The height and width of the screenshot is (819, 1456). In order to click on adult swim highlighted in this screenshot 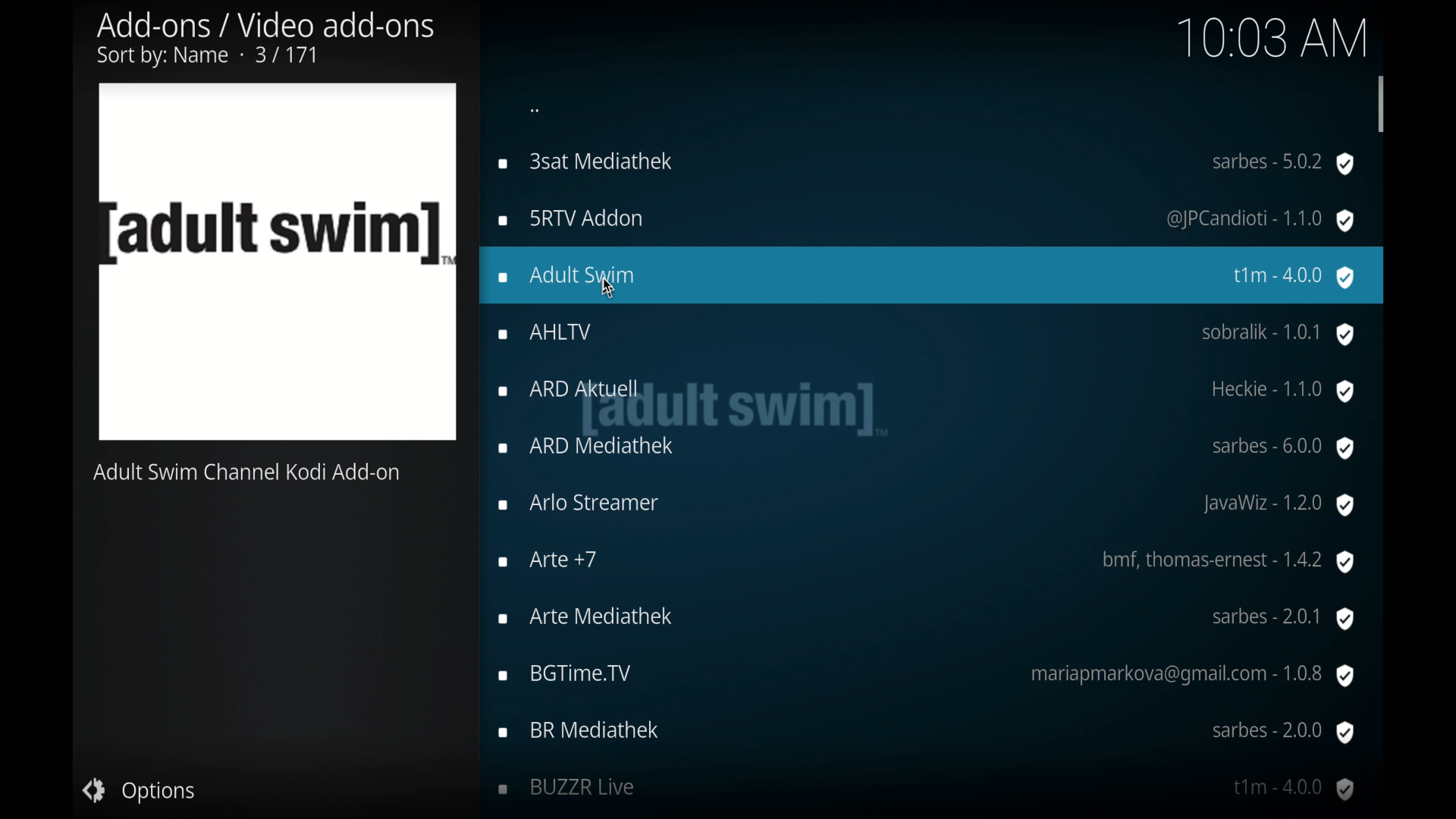, I will do `click(934, 275)`.